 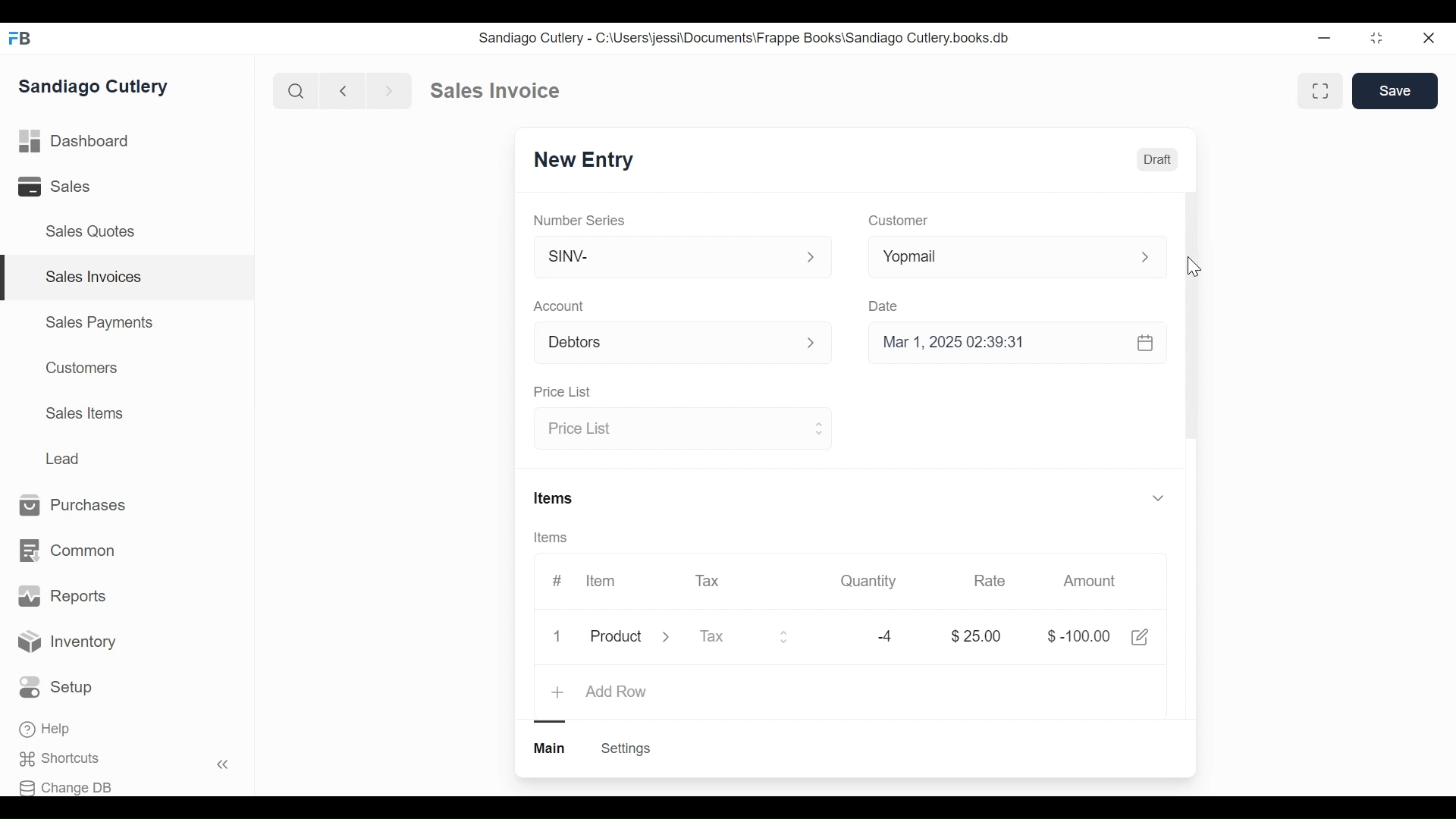 What do you see at coordinates (1193, 317) in the screenshot?
I see `Vertical scrollbar` at bounding box center [1193, 317].